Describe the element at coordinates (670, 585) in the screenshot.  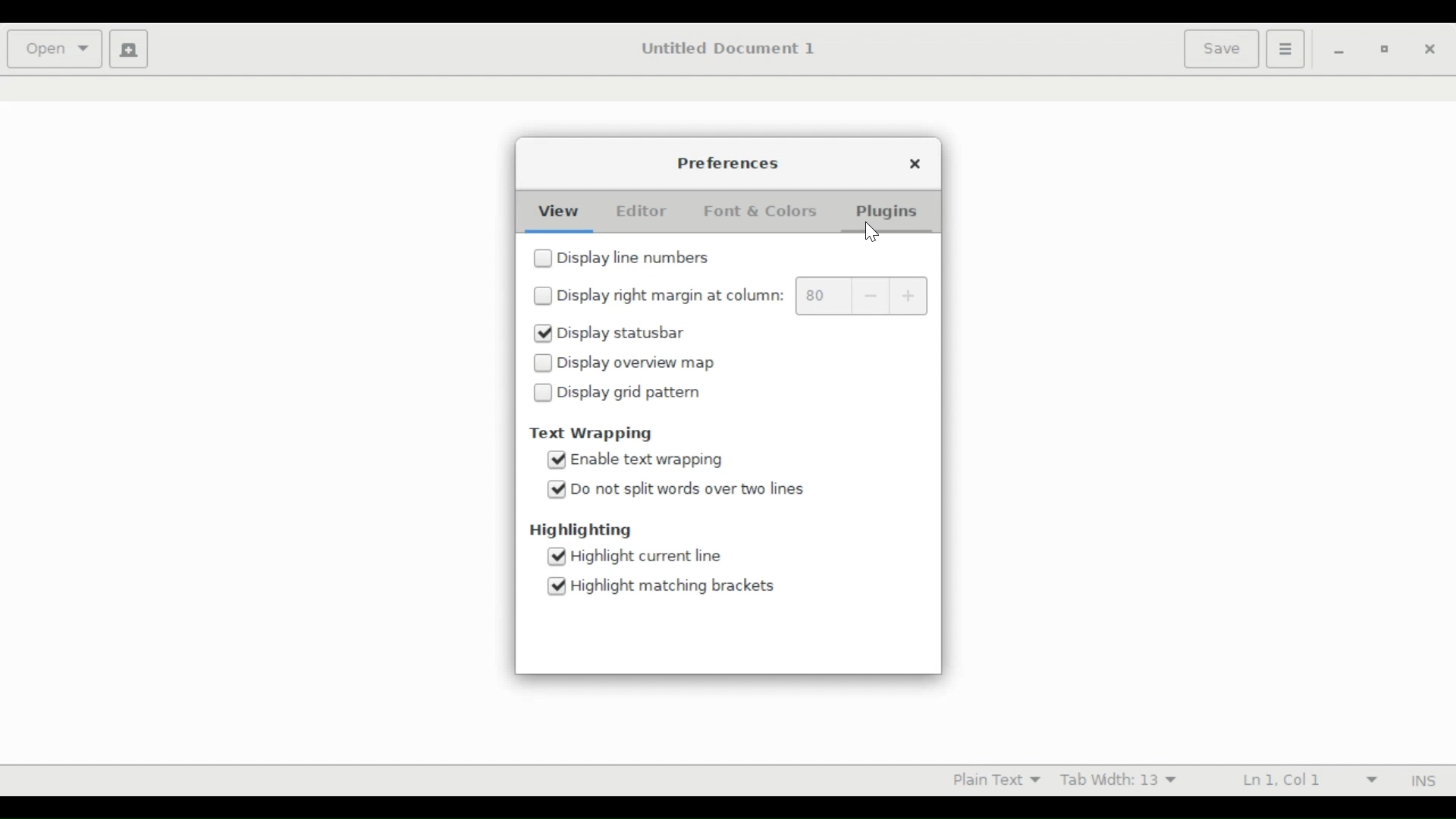
I see `(un)check Highlight matching brackets` at that location.